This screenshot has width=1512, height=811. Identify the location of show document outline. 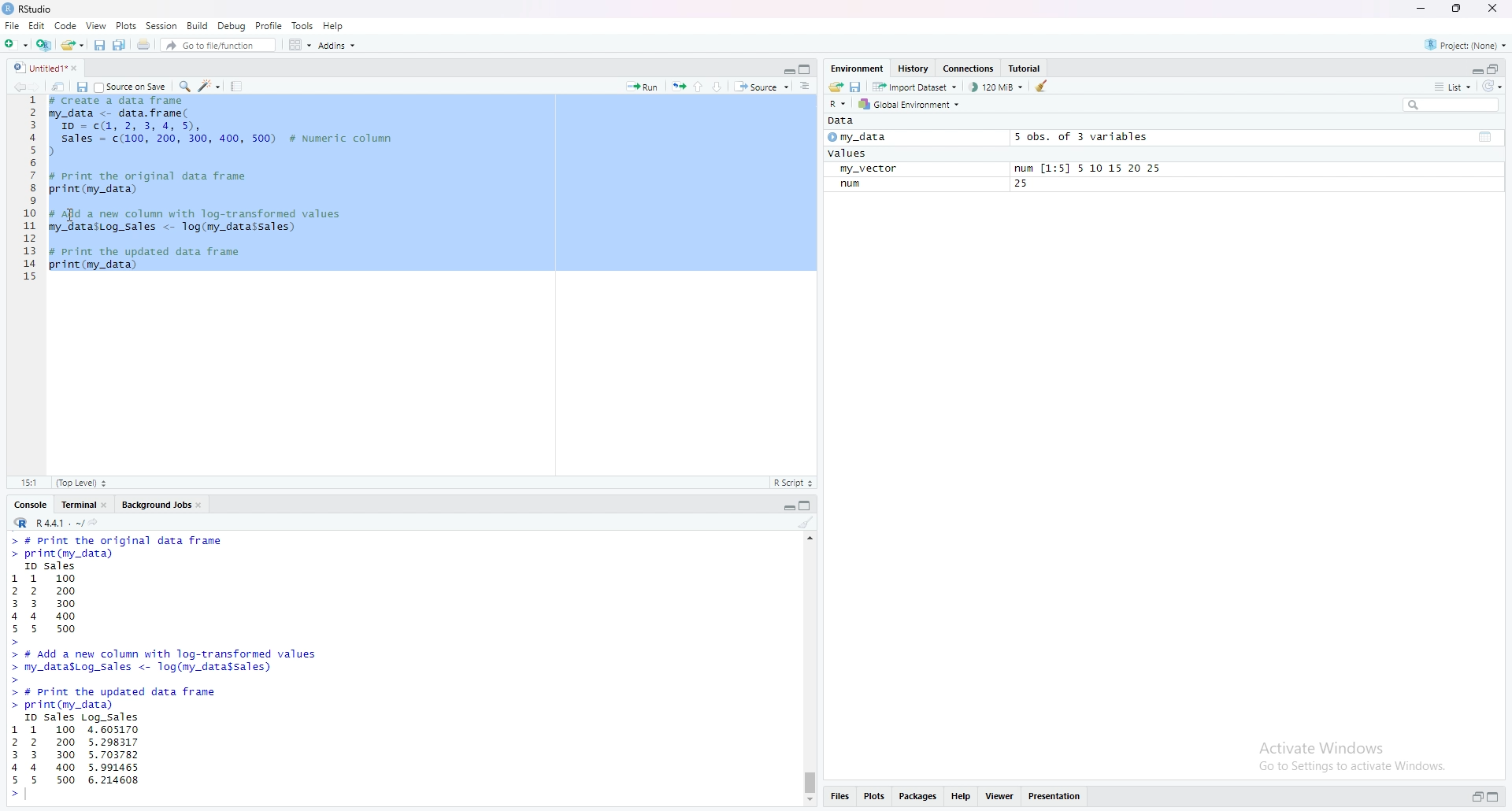
(806, 87).